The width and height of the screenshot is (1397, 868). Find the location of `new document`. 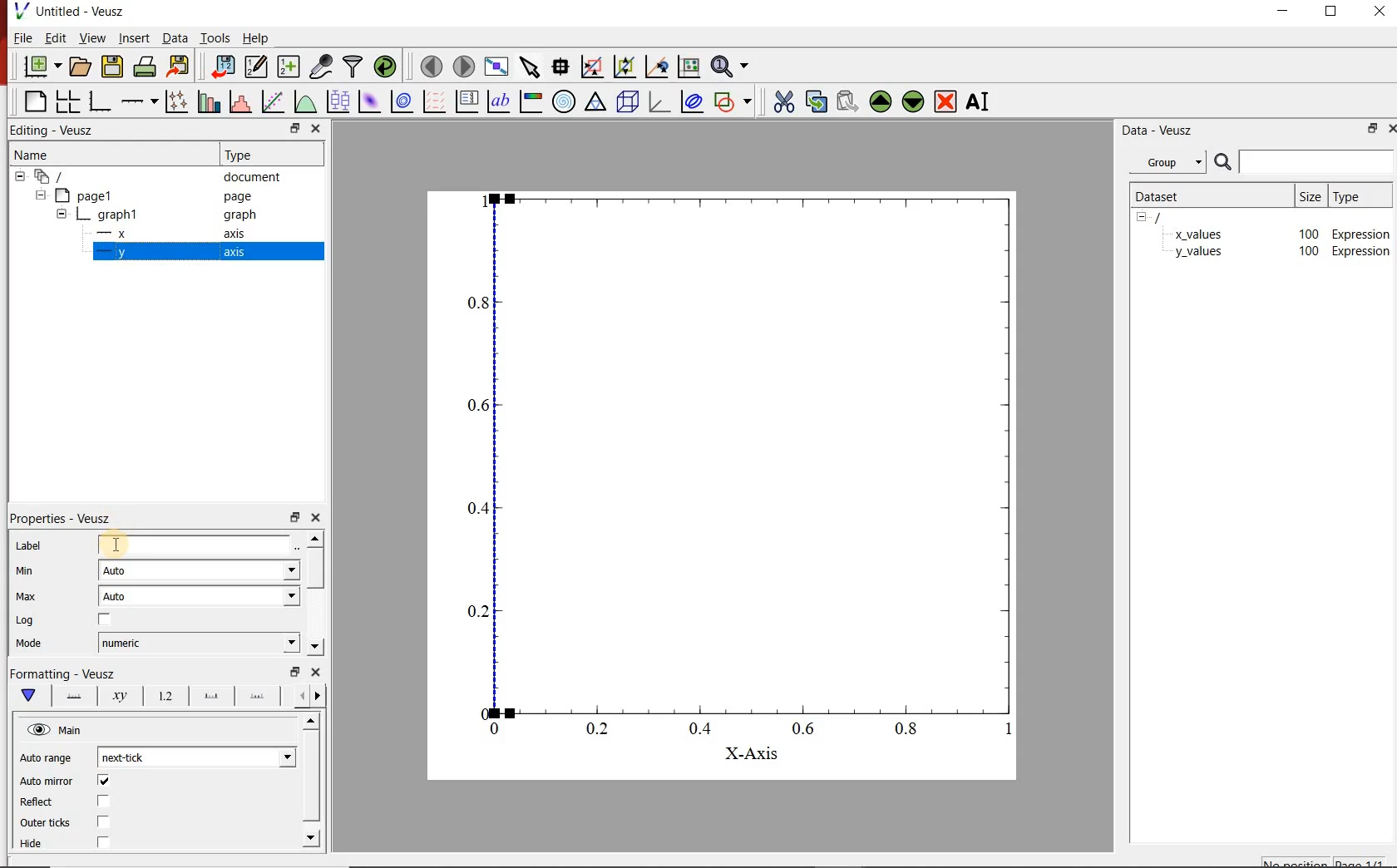

new document is located at coordinates (42, 65).